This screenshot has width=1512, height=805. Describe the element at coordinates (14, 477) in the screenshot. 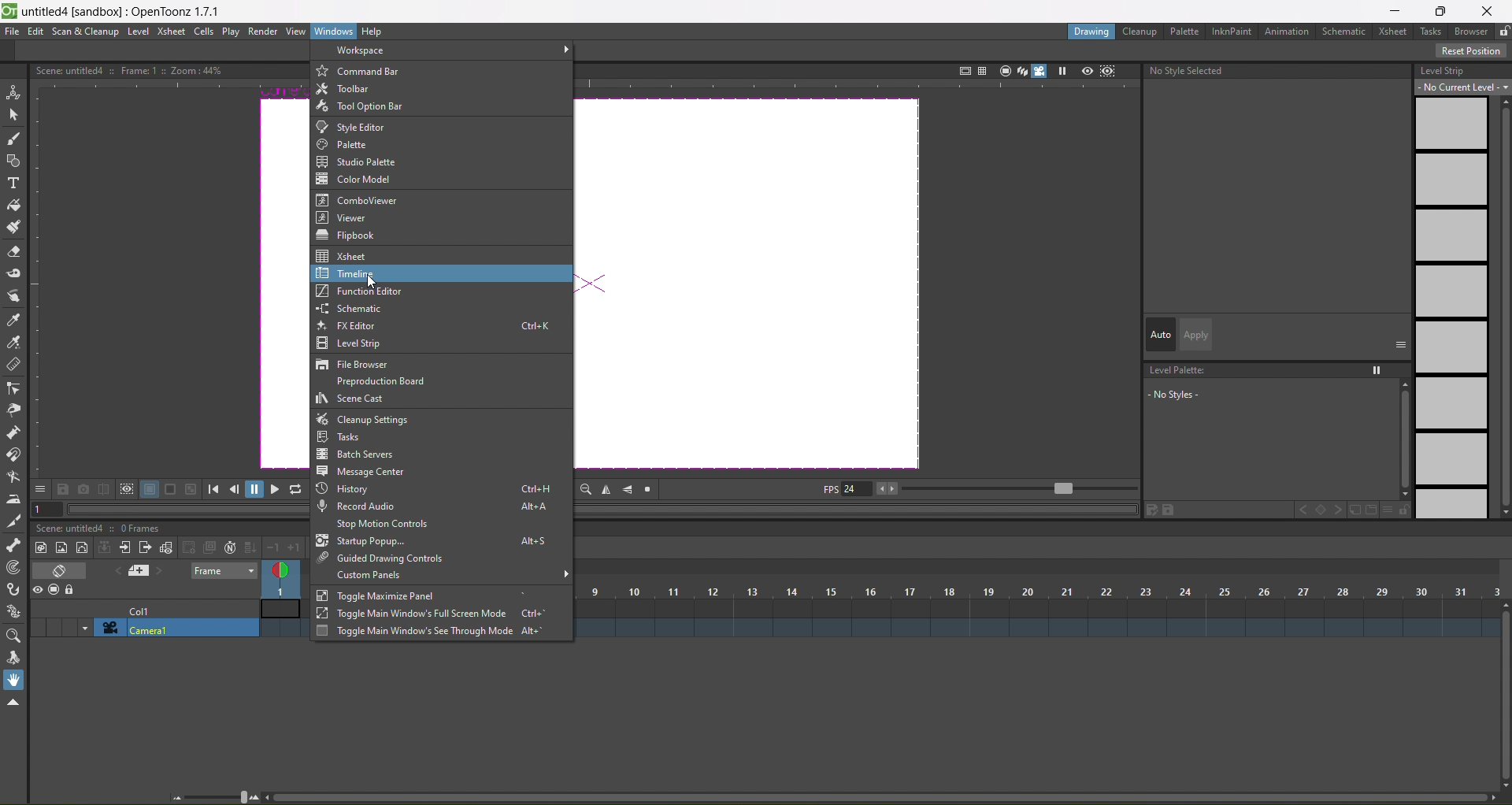

I see `bender tool` at that location.